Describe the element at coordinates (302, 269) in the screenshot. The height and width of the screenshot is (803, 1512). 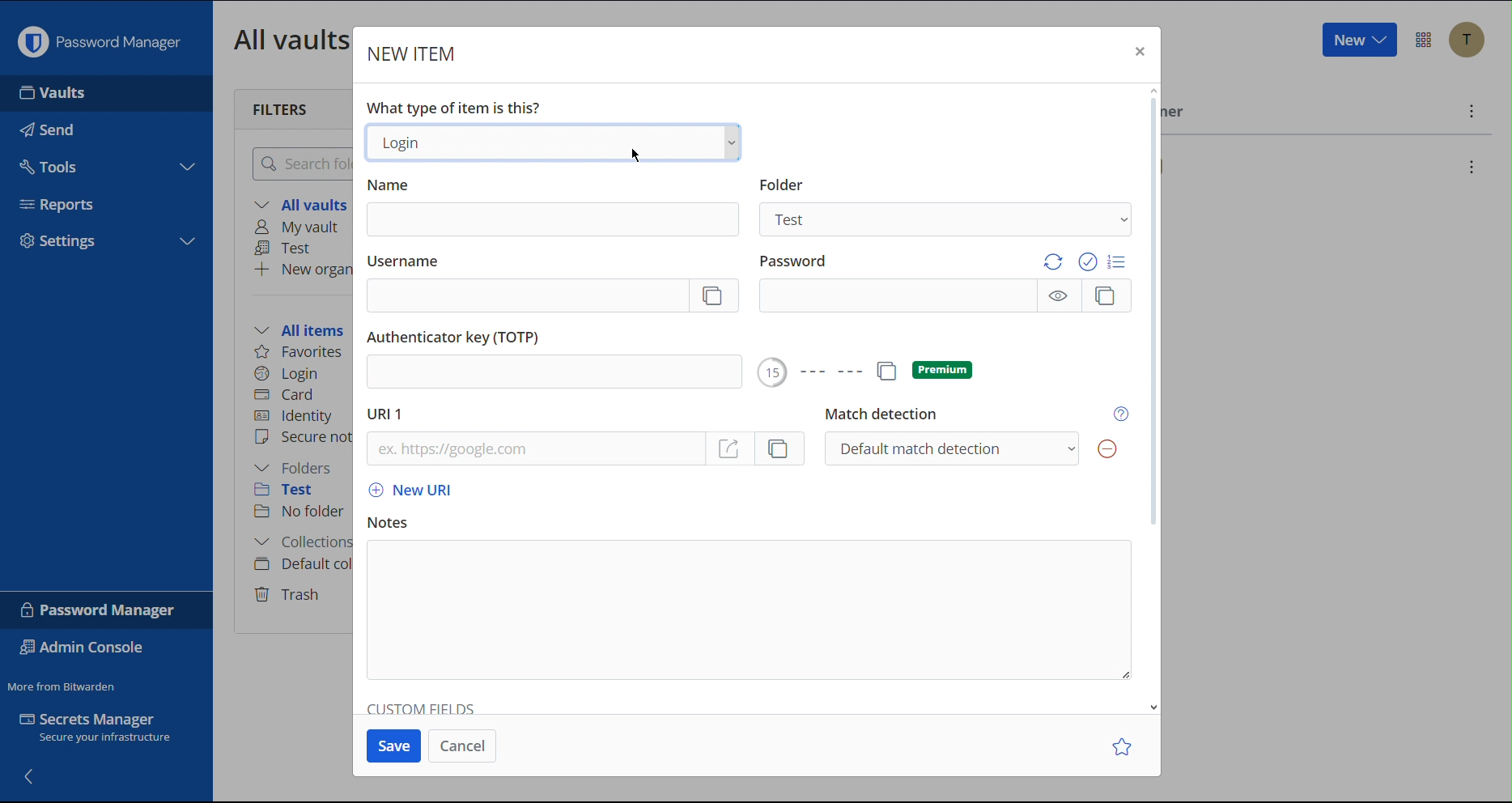
I see `New organization` at that location.